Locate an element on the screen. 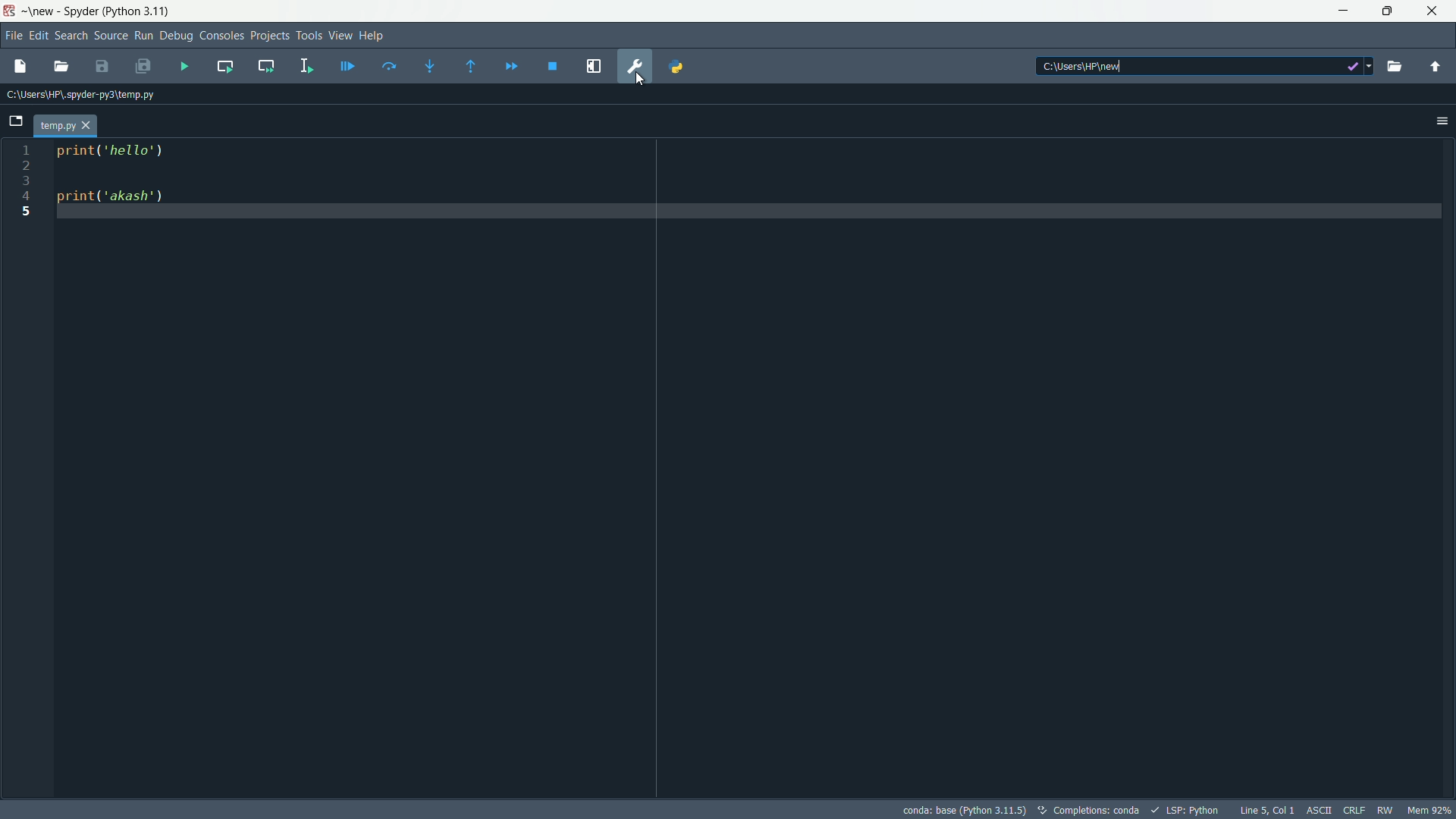 The width and height of the screenshot is (1456, 819). consoles menu is located at coordinates (222, 36).